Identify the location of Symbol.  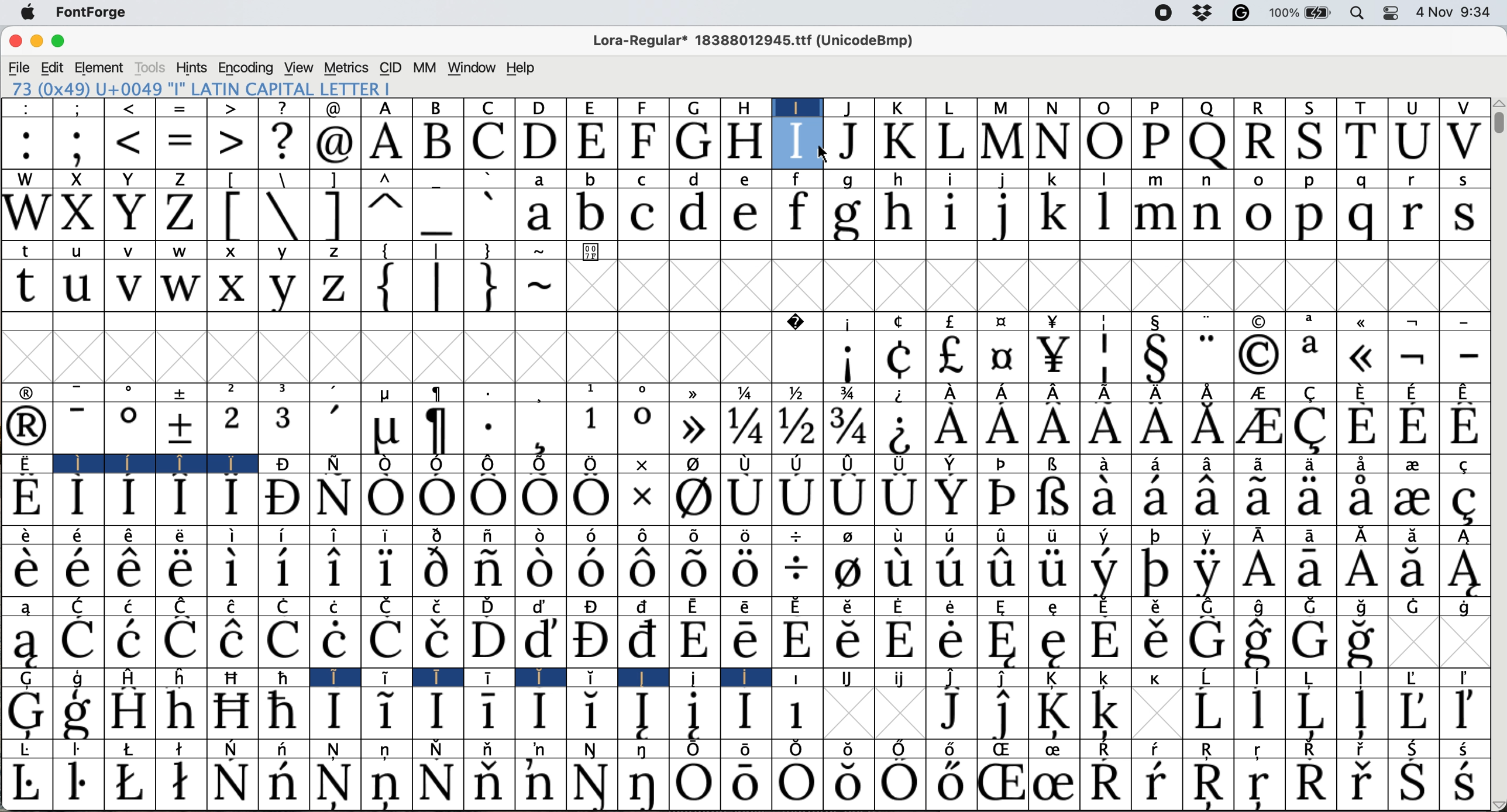
(898, 498).